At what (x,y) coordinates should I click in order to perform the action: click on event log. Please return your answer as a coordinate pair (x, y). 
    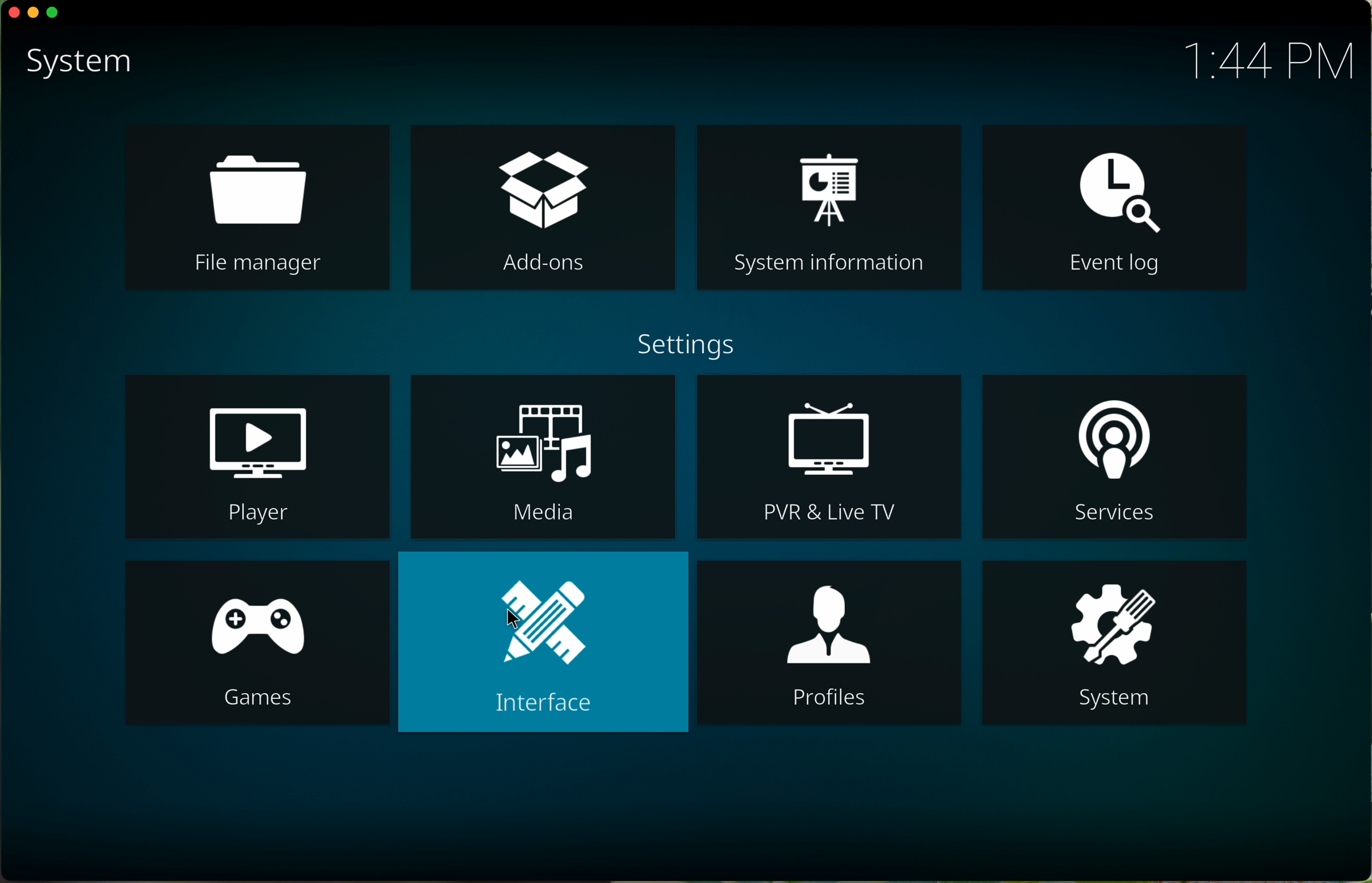
    Looking at the image, I should click on (1113, 206).